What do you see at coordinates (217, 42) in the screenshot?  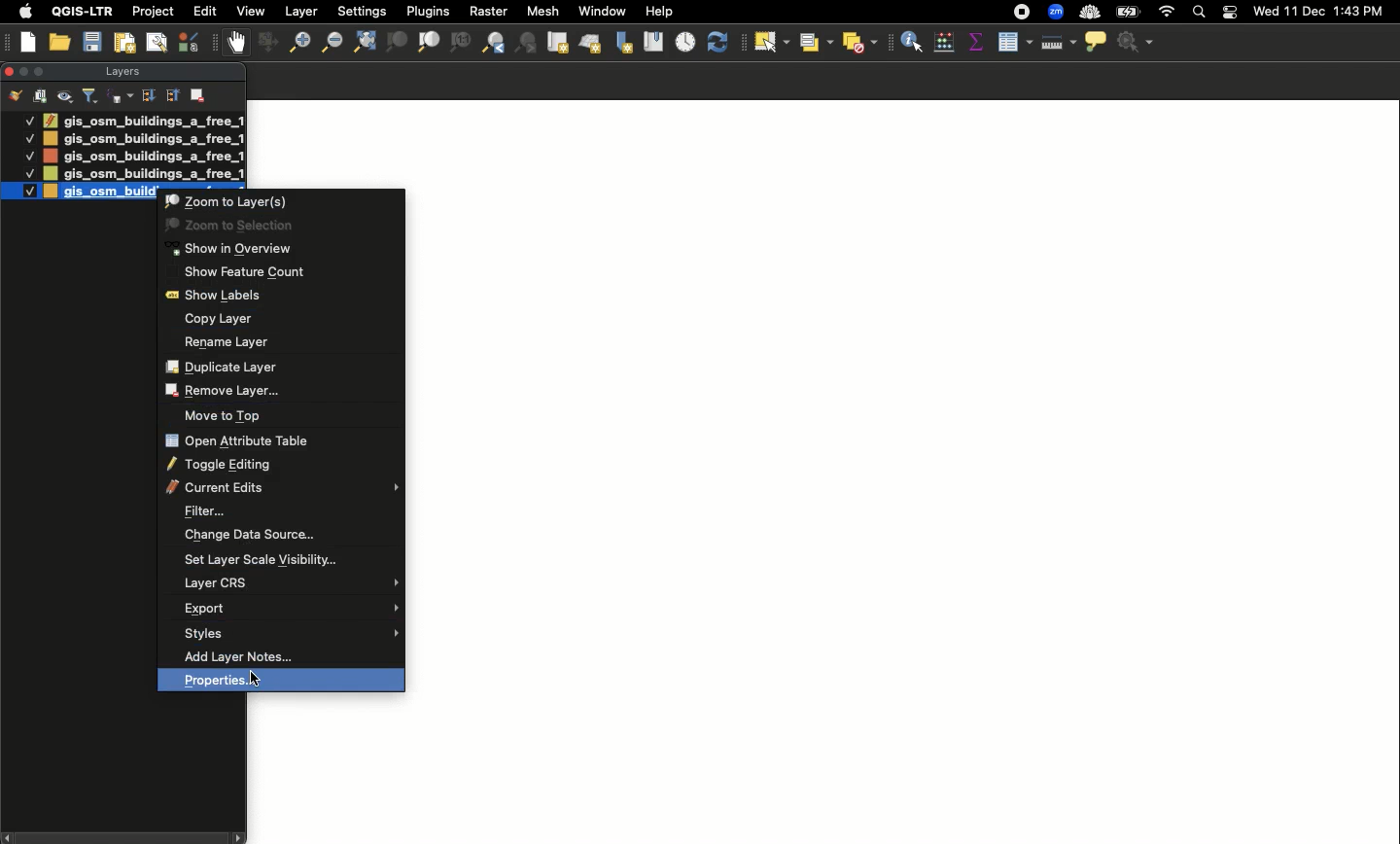 I see `` at bounding box center [217, 42].